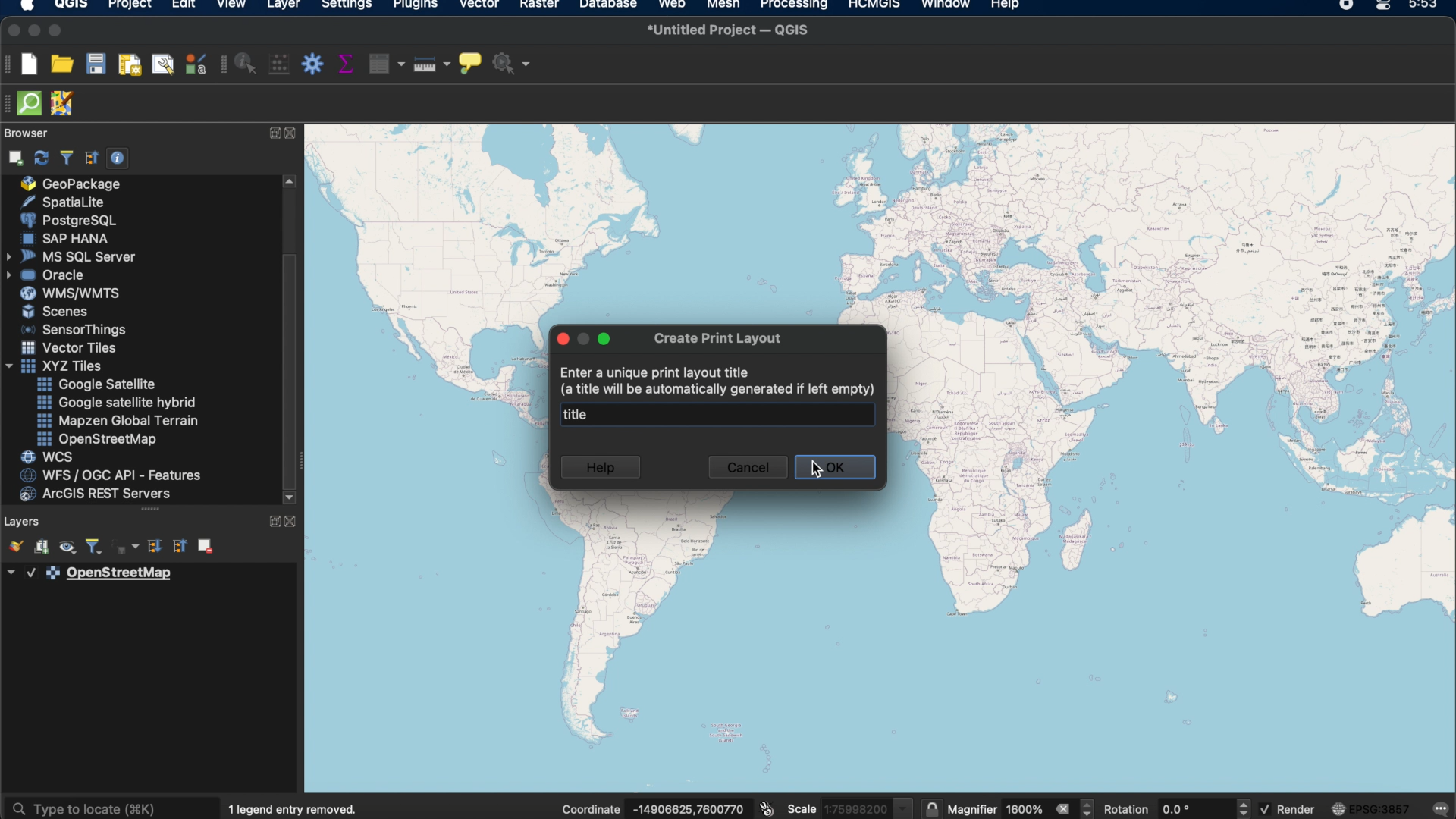 The width and height of the screenshot is (1456, 819). I want to click on close, so click(12, 29).